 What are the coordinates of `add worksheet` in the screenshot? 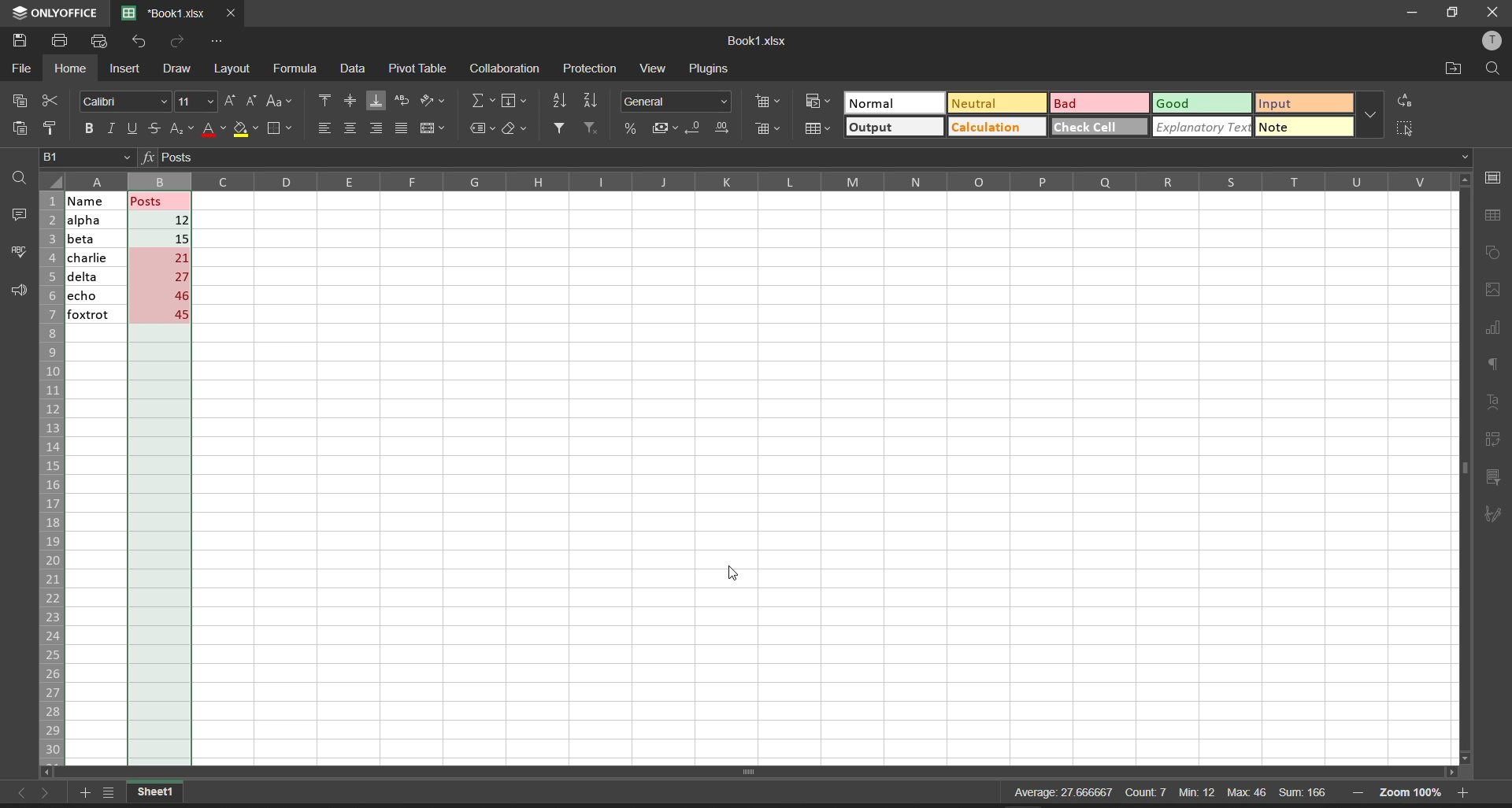 It's located at (84, 791).